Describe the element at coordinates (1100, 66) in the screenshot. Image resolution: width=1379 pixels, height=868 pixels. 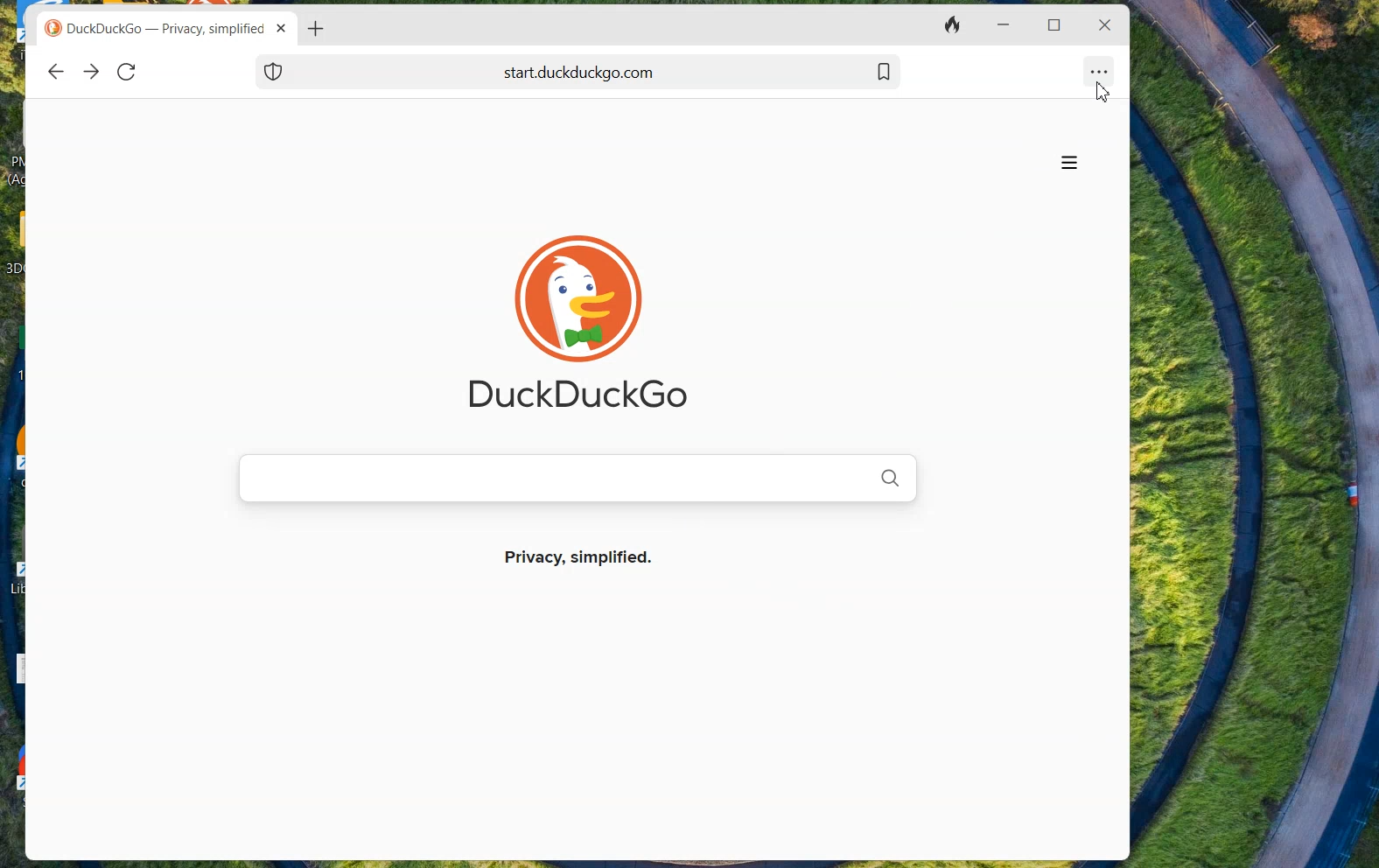
I see `Option` at that location.